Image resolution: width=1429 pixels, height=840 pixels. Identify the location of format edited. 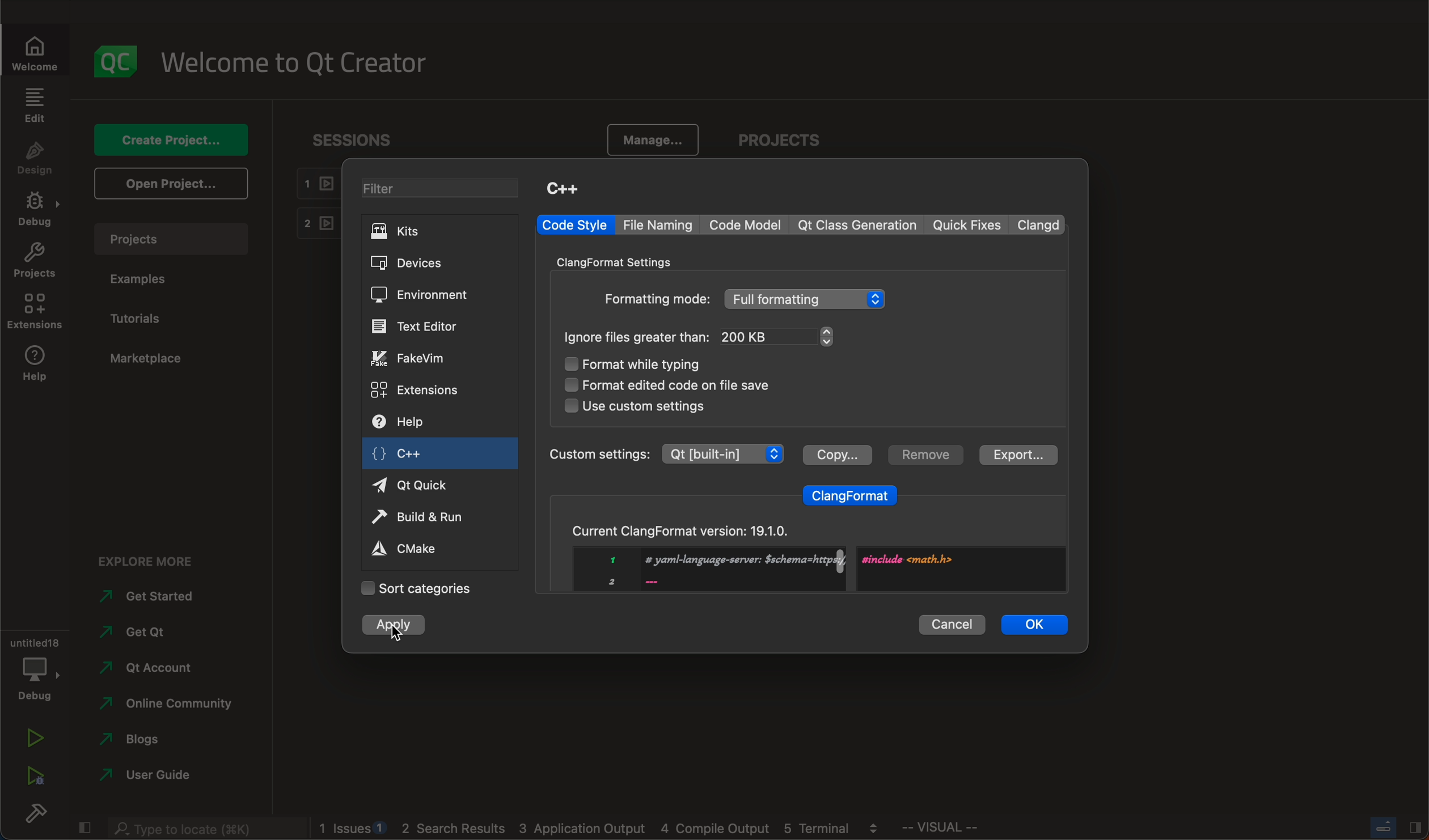
(684, 384).